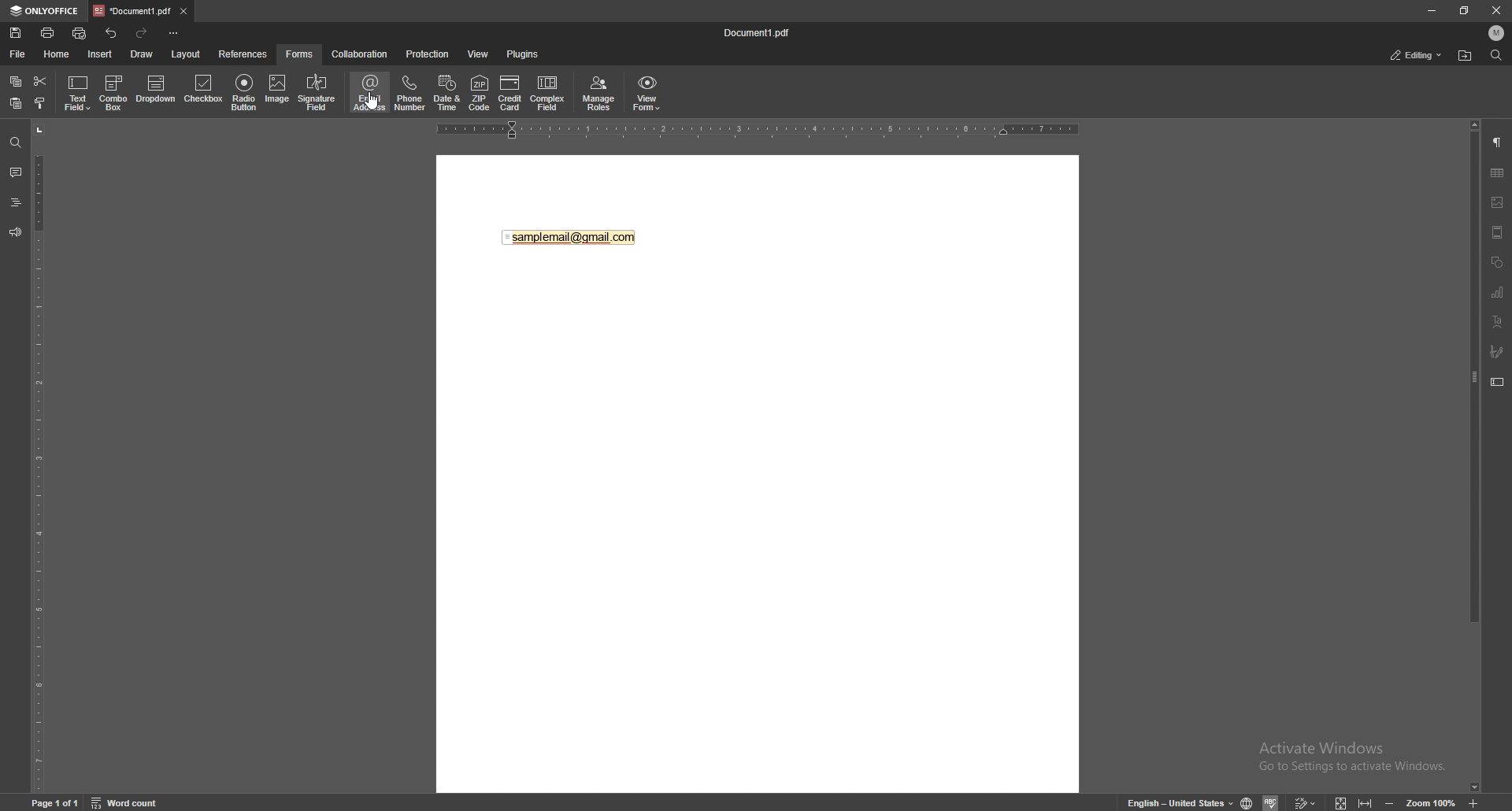 The width and height of the screenshot is (1512, 811). What do you see at coordinates (45, 11) in the screenshot?
I see `onlyoffice` at bounding box center [45, 11].